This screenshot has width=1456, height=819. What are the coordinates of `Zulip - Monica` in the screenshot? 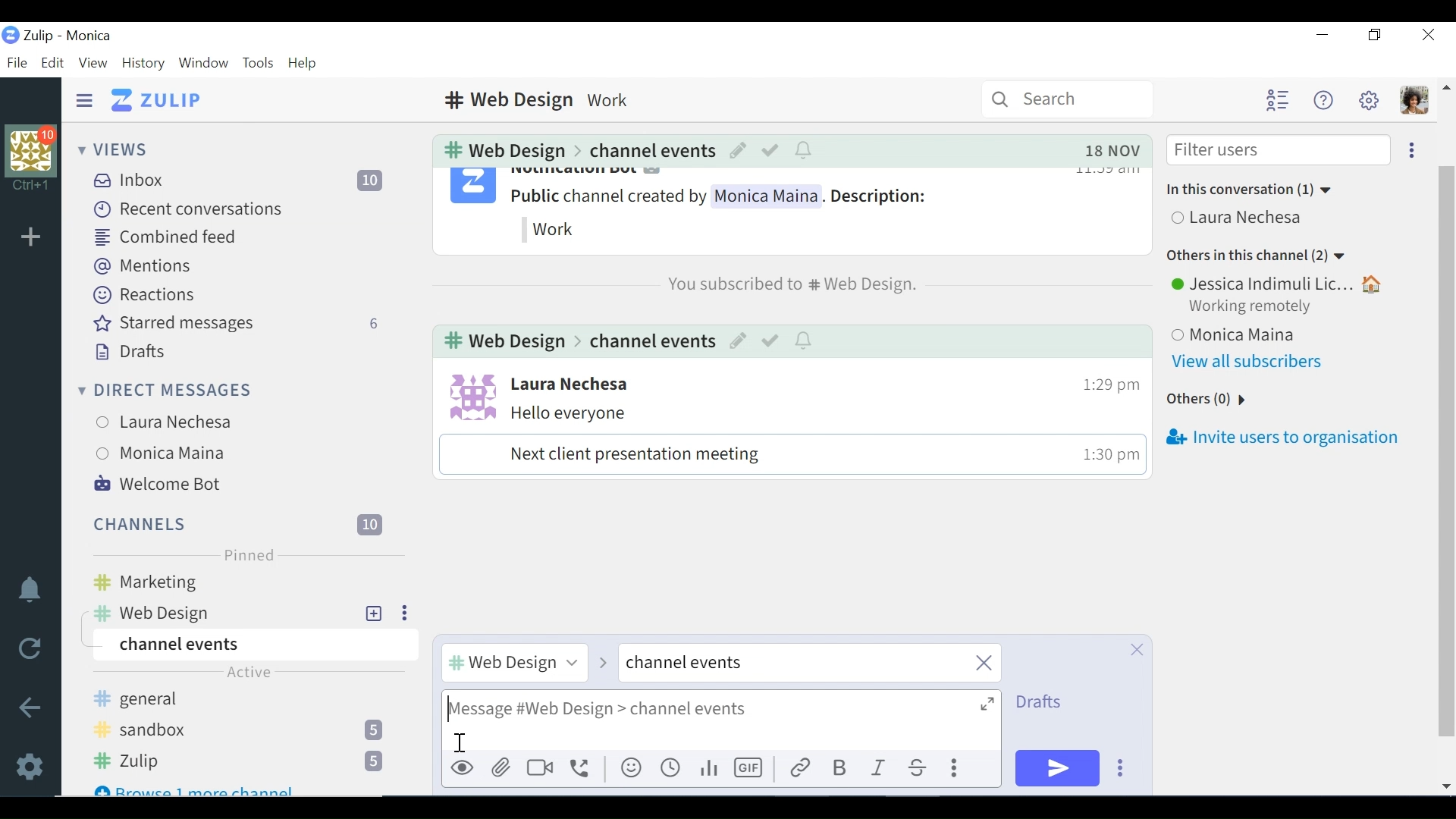 It's located at (69, 35).